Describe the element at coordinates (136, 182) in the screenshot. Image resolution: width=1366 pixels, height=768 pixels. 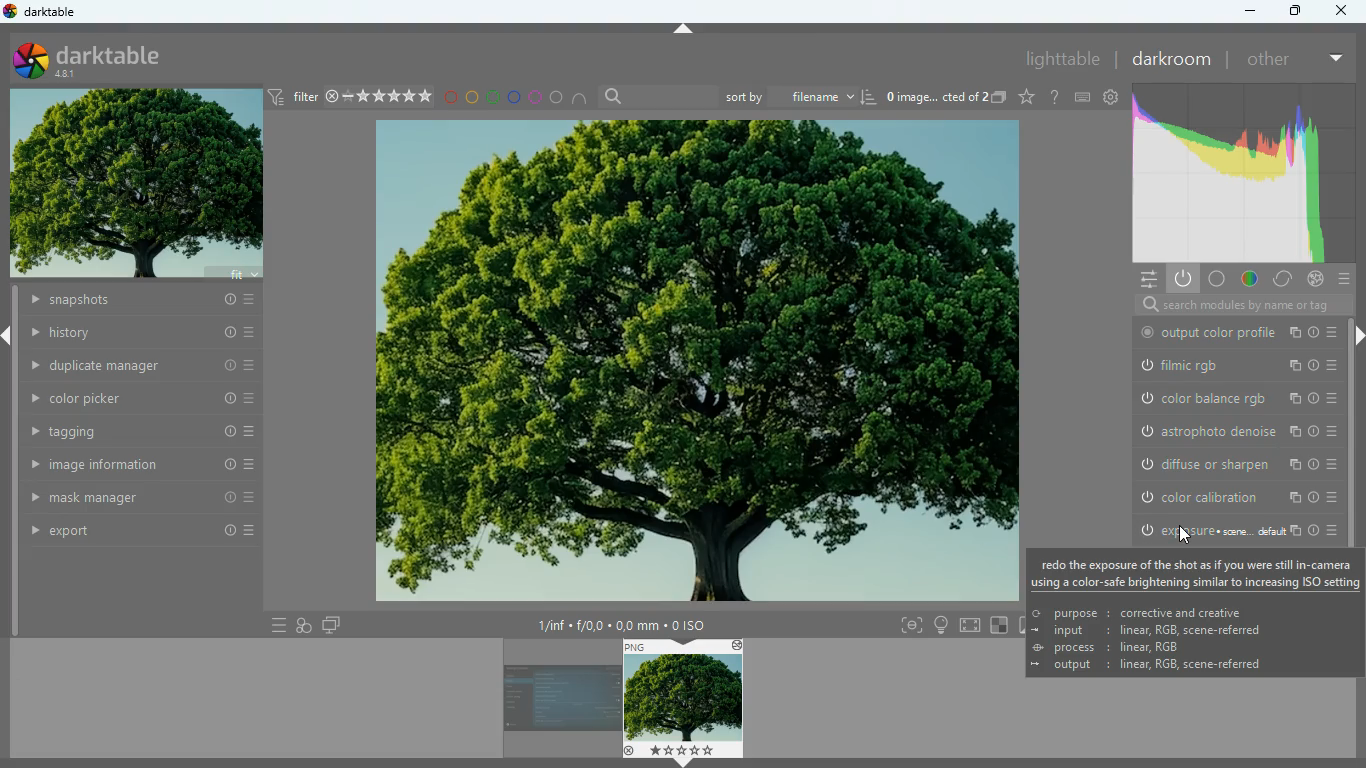
I see `image` at that location.